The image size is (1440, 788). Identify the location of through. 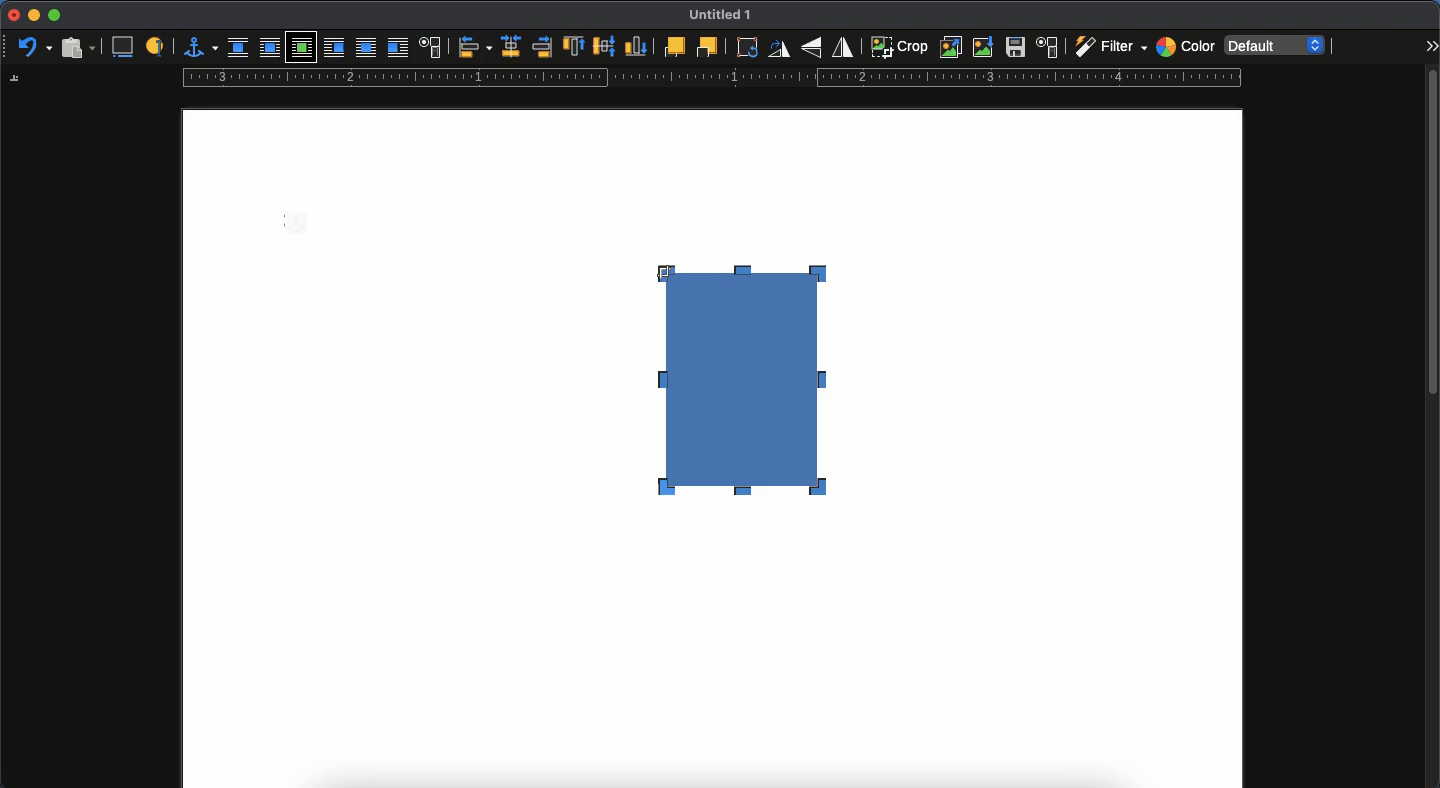
(366, 49).